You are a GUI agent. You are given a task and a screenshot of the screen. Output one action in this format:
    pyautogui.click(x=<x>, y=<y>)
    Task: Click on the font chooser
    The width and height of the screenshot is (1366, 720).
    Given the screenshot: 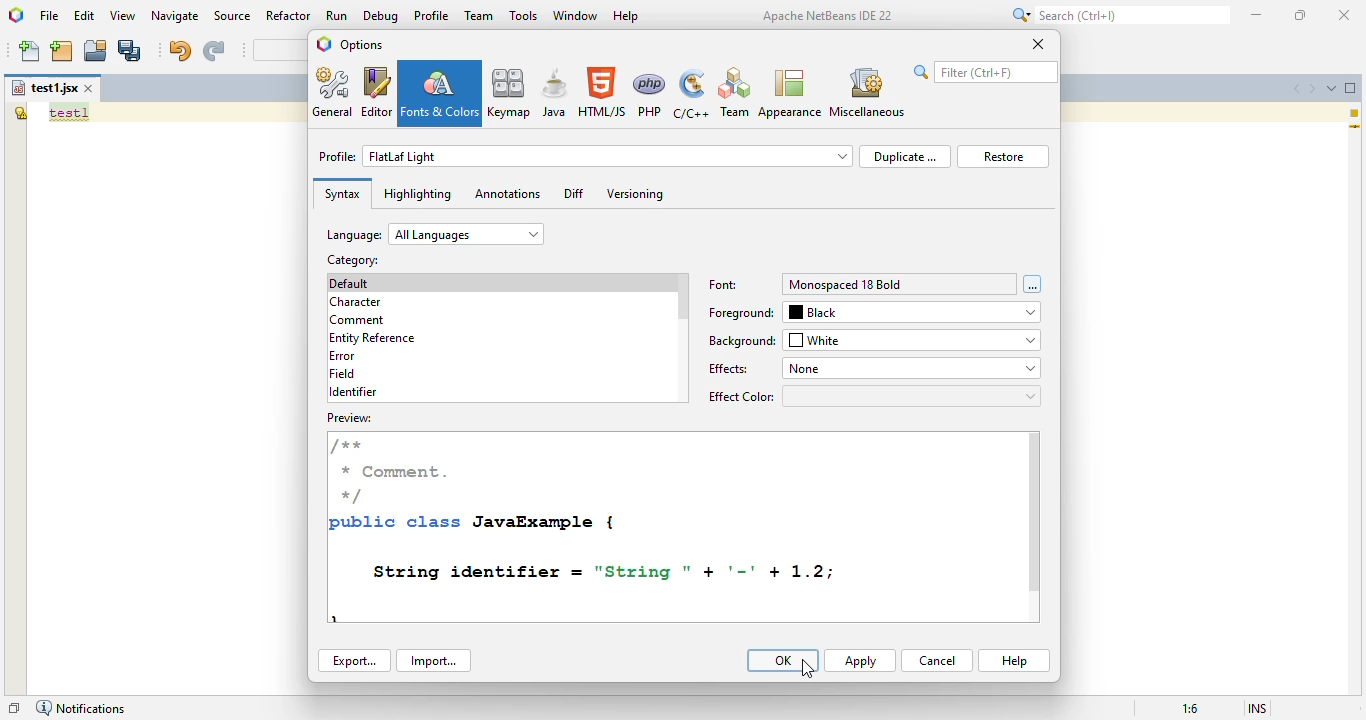 What is the action you would take?
    pyautogui.click(x=1031, y=284)
    